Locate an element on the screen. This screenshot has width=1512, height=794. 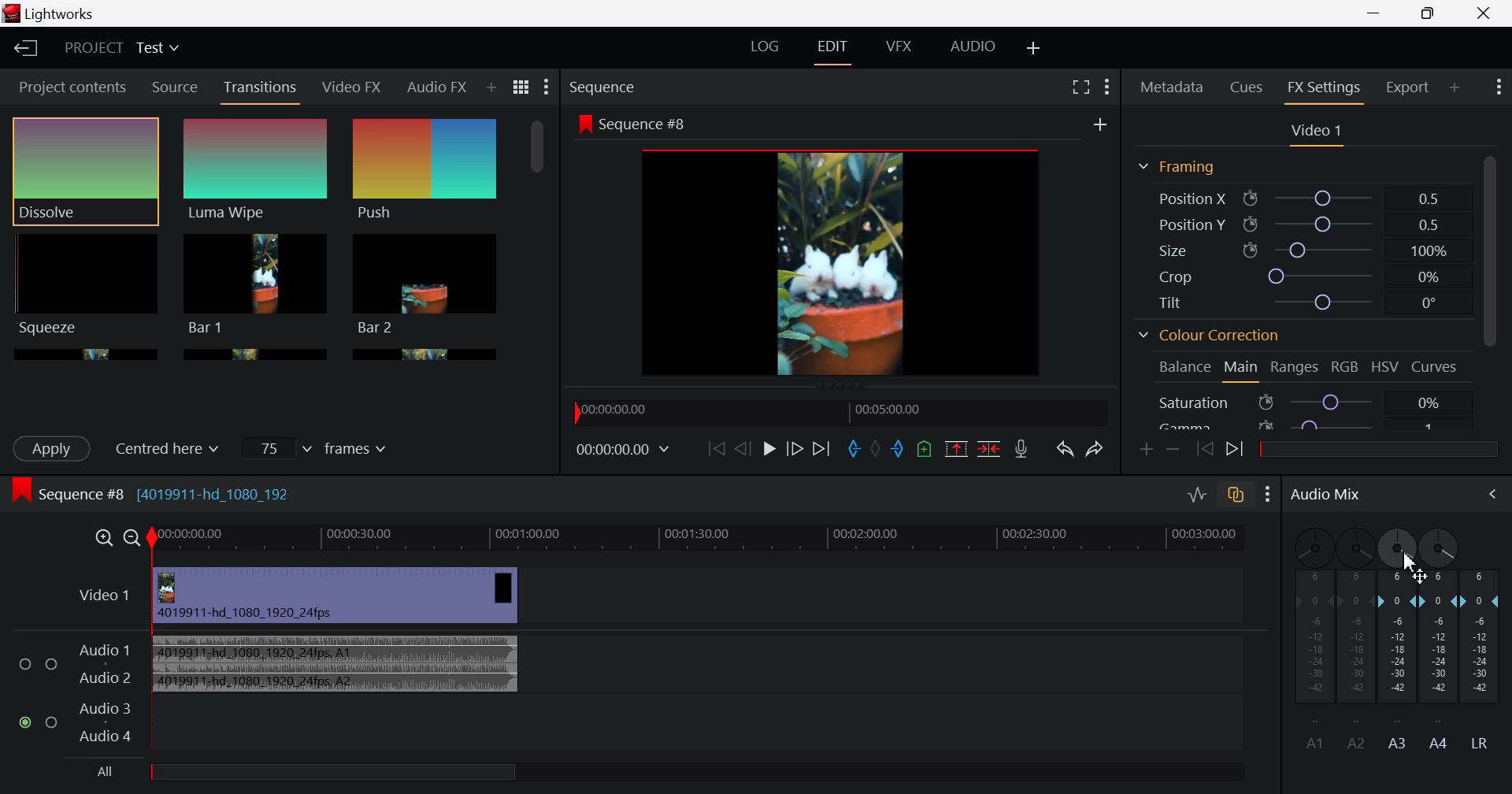
Show Settings is located at coordinates (1498, 89).